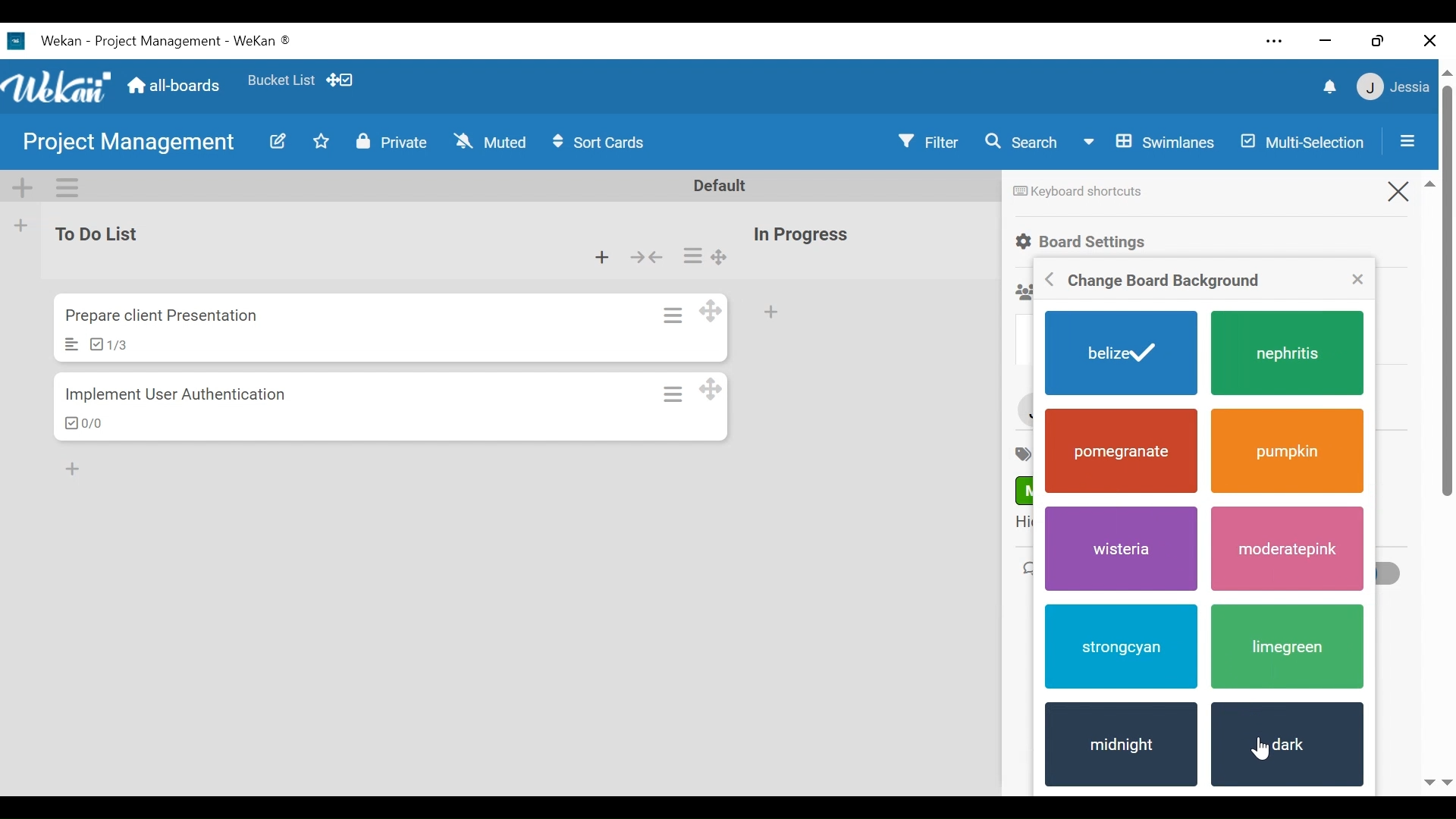 The width and height of the screenshot is (1456, 819). Describe the element at coordinates (1357, 278) in the screenshot. I see `close` at that location.